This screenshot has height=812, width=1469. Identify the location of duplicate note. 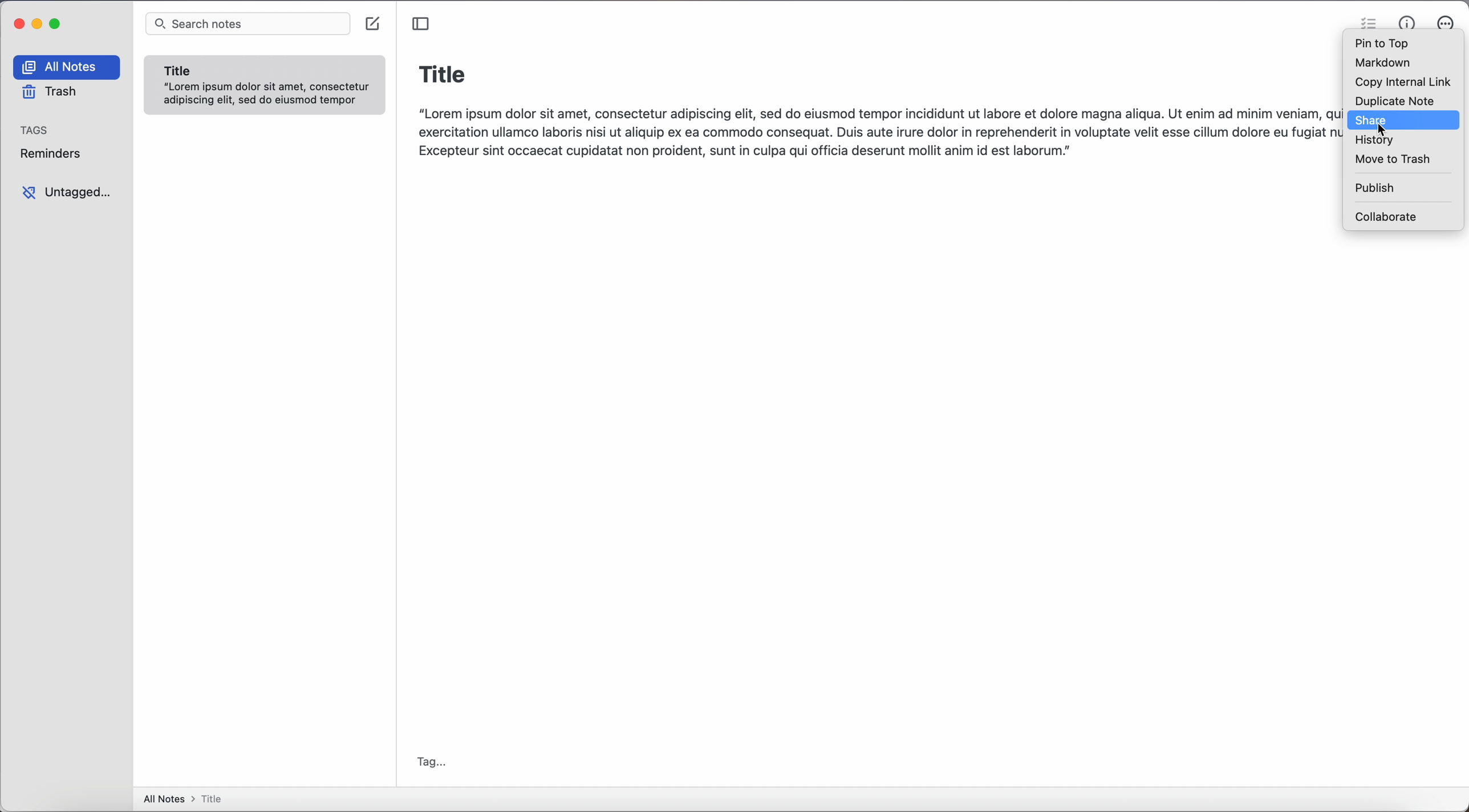
(1394, 101).